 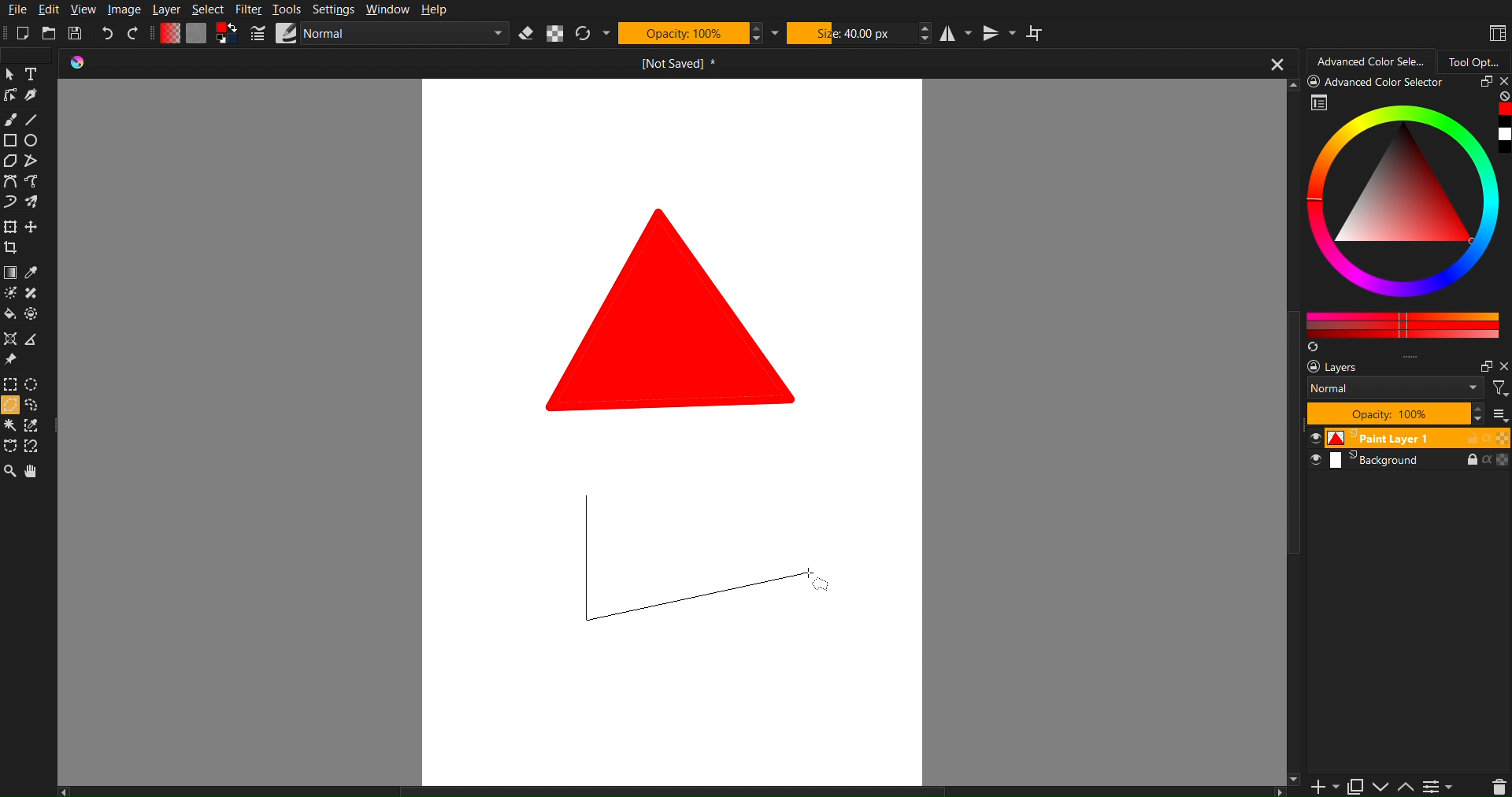 What do you see at coordinates (9, 316) in the screenshot?
I see `filler` at bounding box center [9, 316].